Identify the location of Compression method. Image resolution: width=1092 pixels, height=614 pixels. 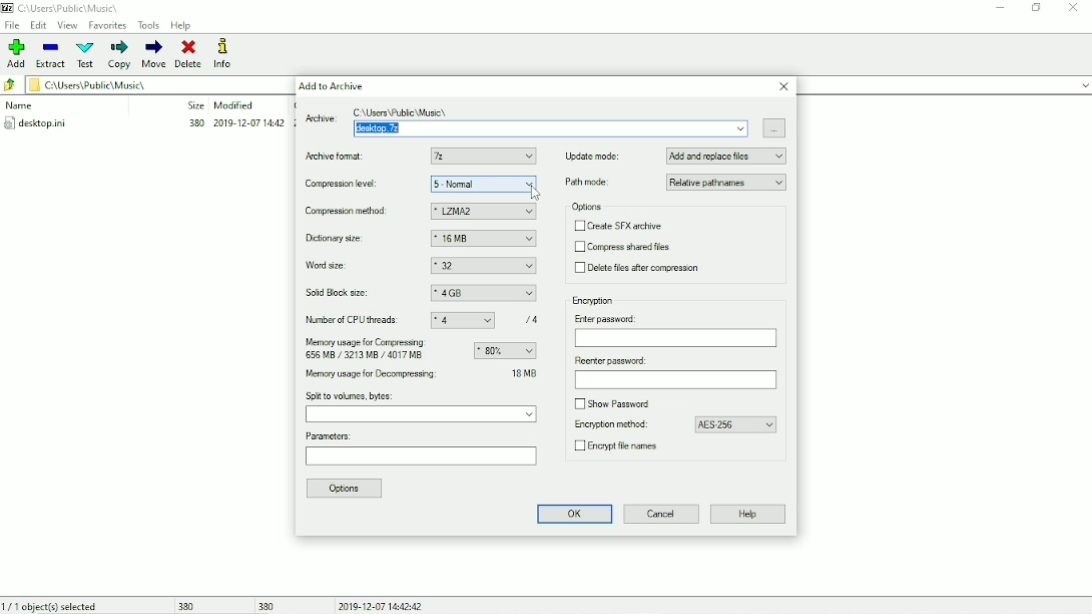
(348, 211).